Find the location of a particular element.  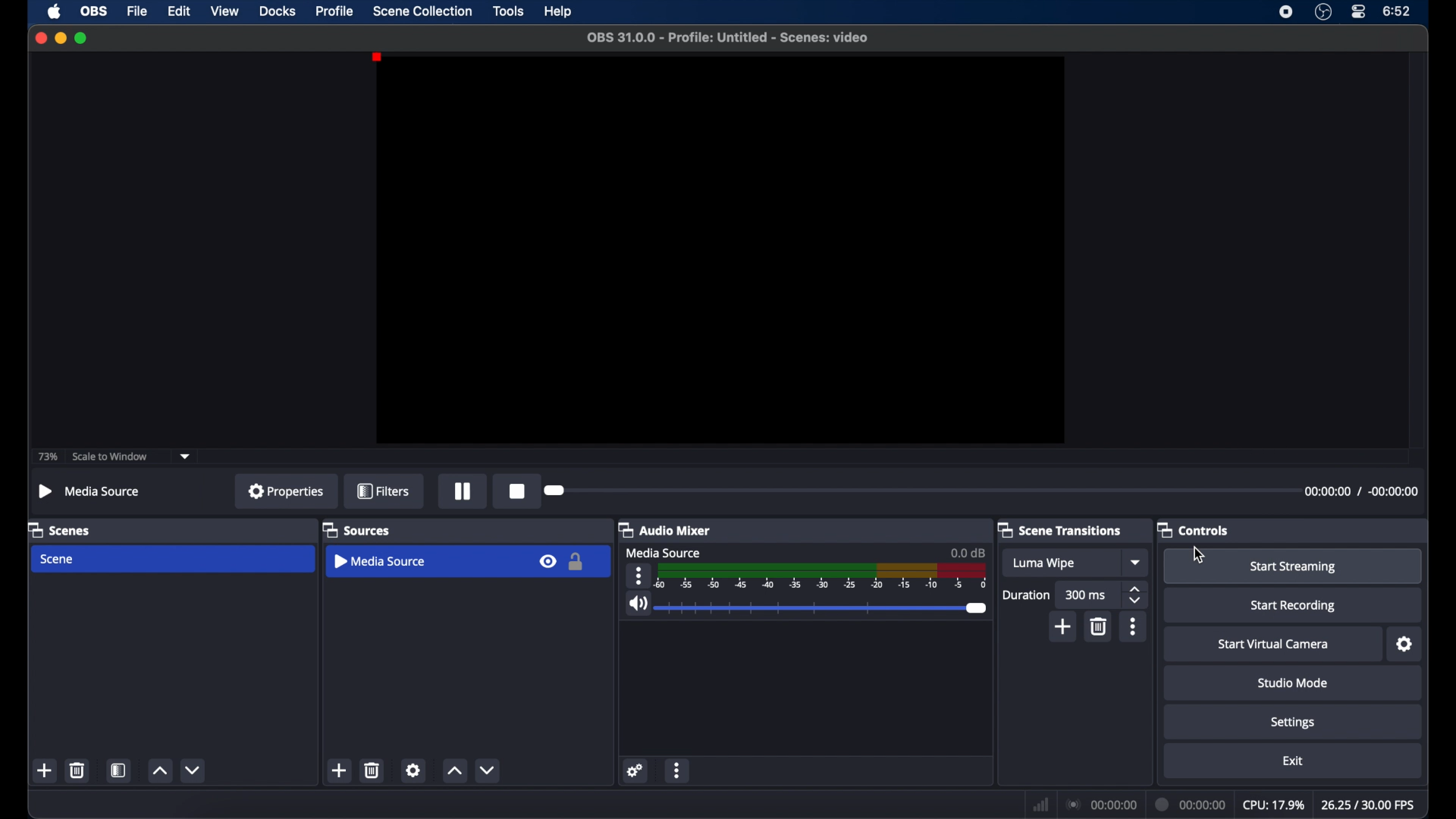

decrement is located at coordinates (193, 770).